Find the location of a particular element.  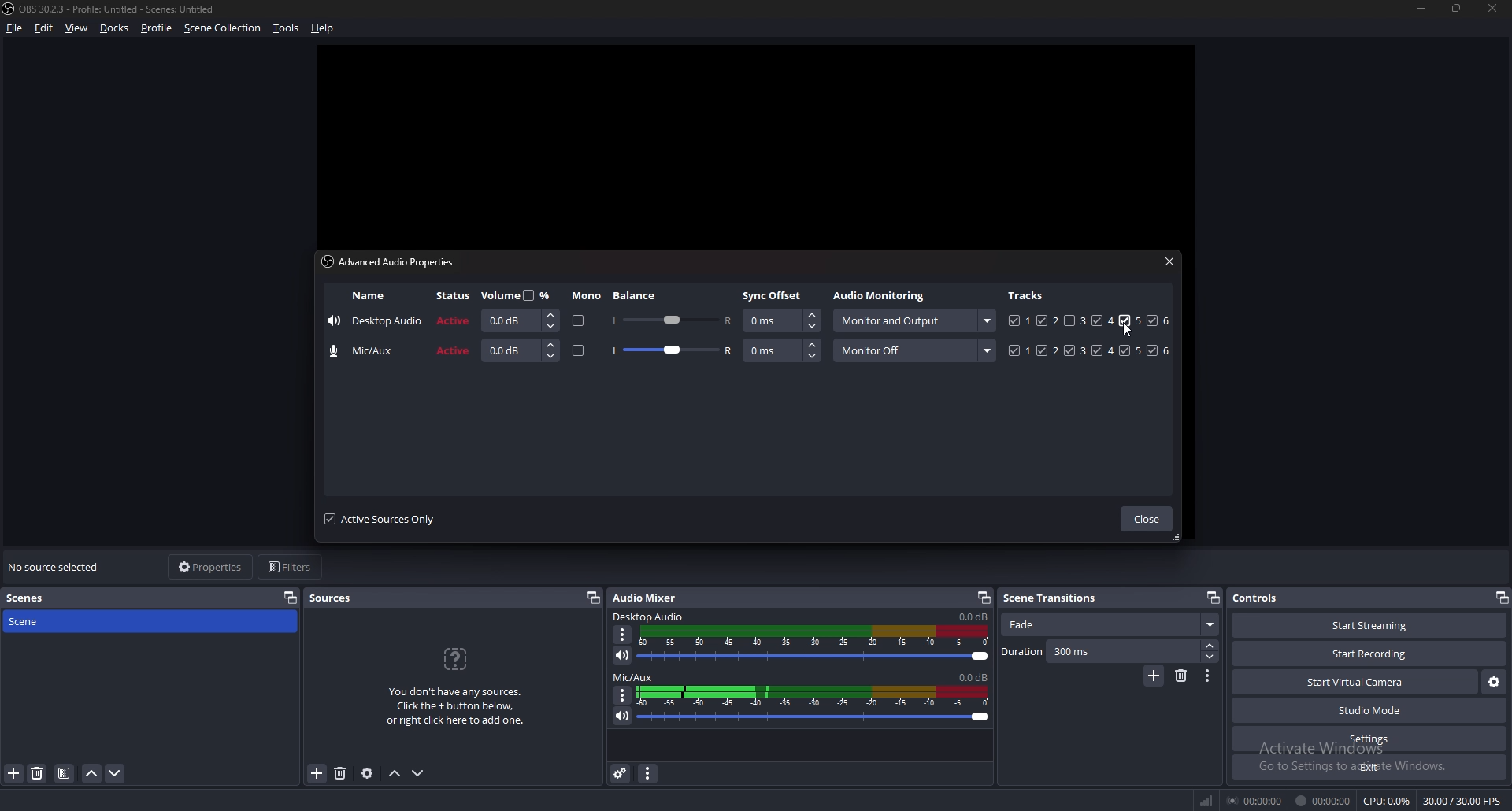

OBS LOGO is located at coordinates (9, 10).